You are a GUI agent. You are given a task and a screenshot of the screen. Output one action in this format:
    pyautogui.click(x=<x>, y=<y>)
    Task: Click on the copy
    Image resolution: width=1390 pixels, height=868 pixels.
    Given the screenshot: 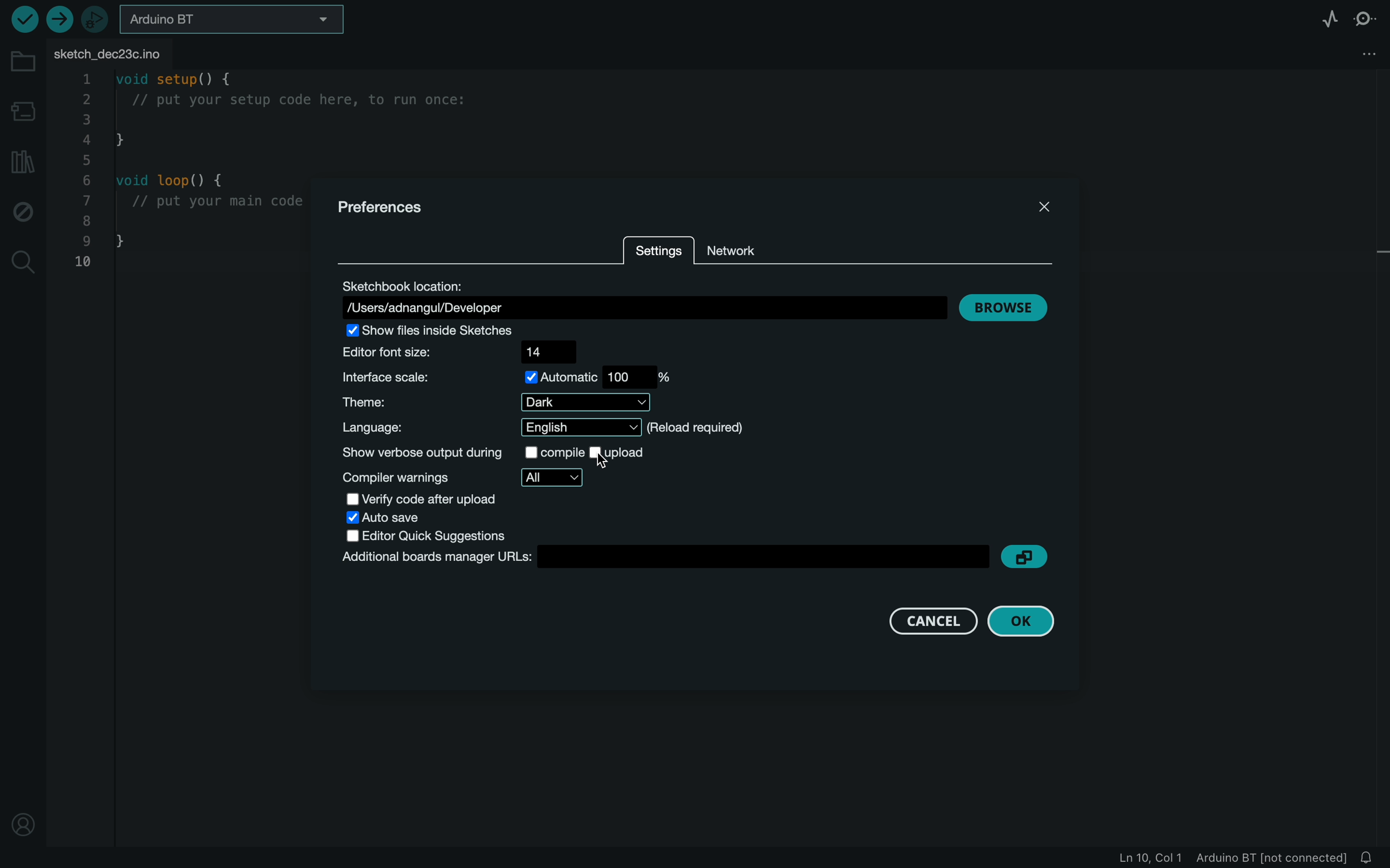 What is the action you would take?
    pyautogui.click(x=1029, y=560)
    